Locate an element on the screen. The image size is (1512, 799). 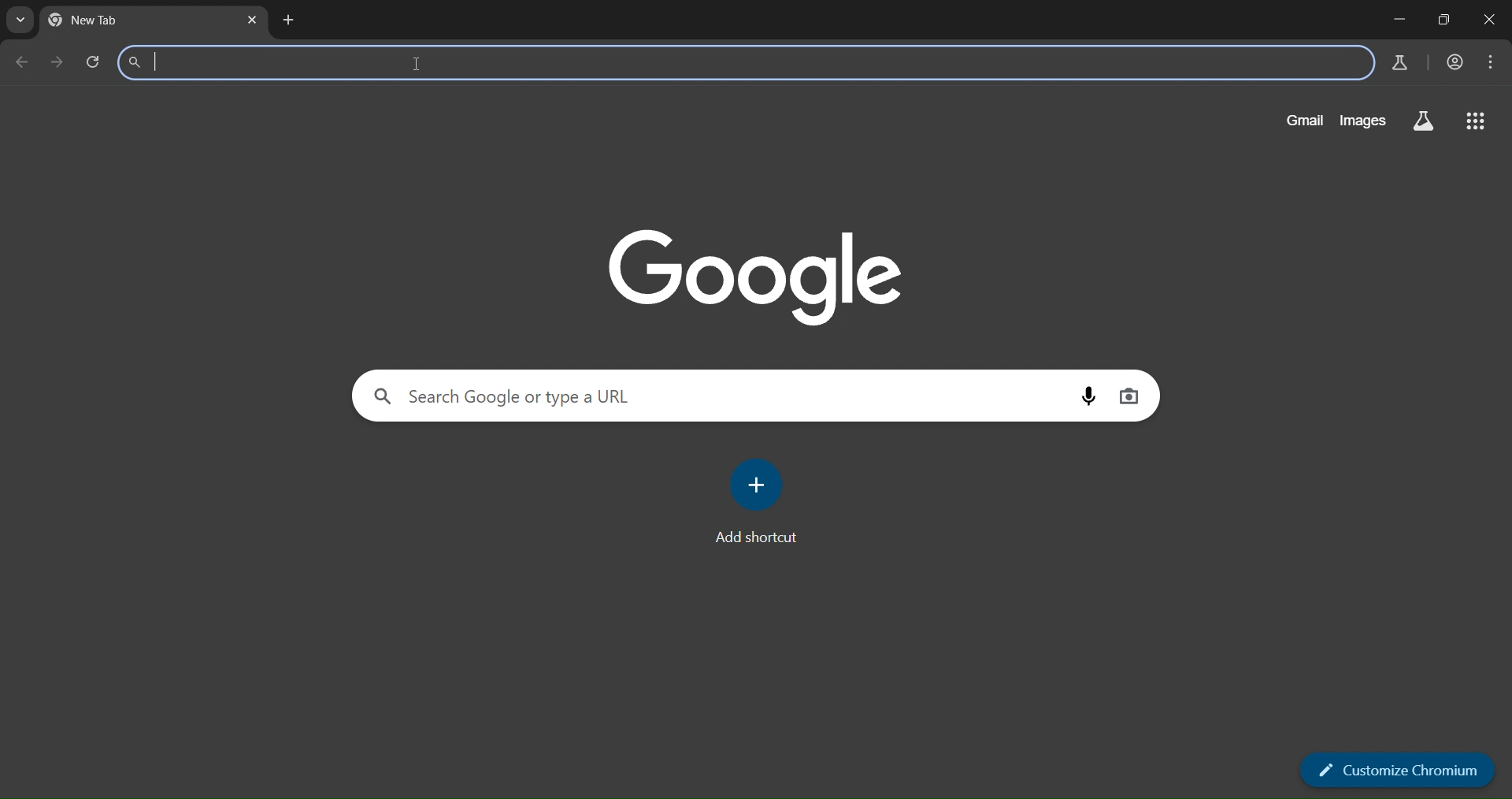
new tab is located at coordinates (291, 21).